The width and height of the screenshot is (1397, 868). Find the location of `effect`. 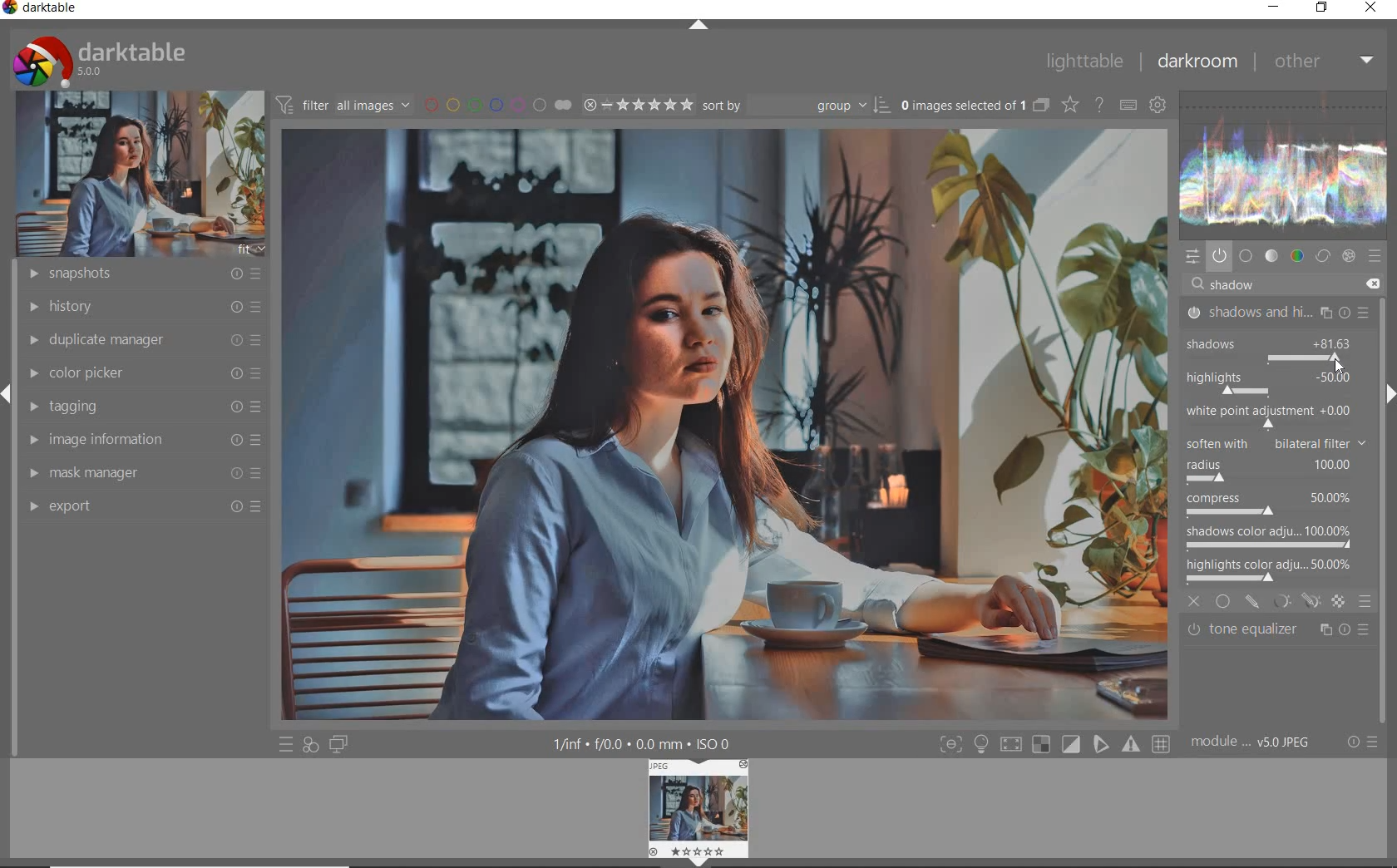

effect is located at coordinates (1350, 256).